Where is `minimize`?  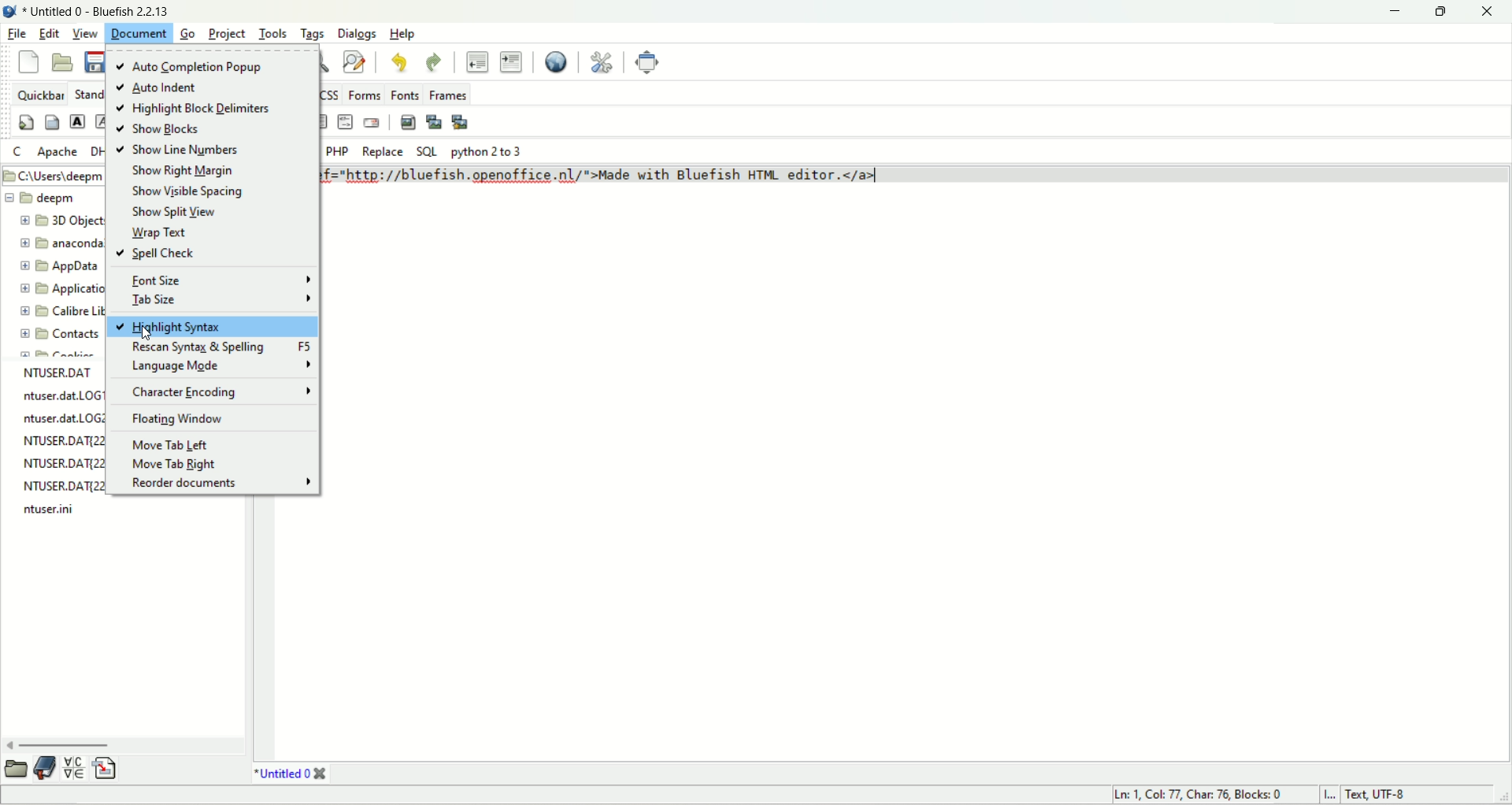 minimize is located at coordinates (1395, 12).